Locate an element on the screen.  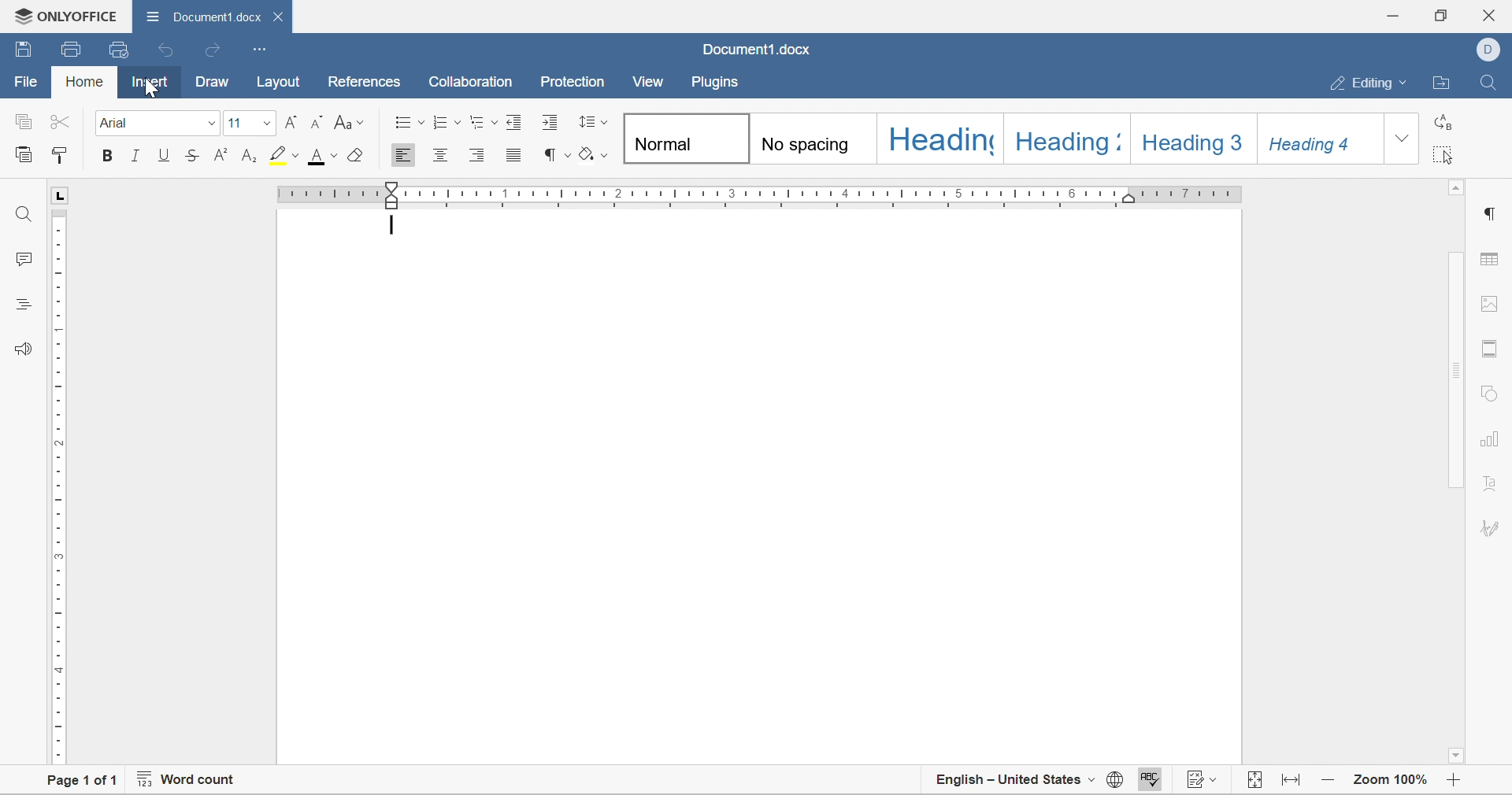
Page 1 of 1 is located at coordinates (83, 782).